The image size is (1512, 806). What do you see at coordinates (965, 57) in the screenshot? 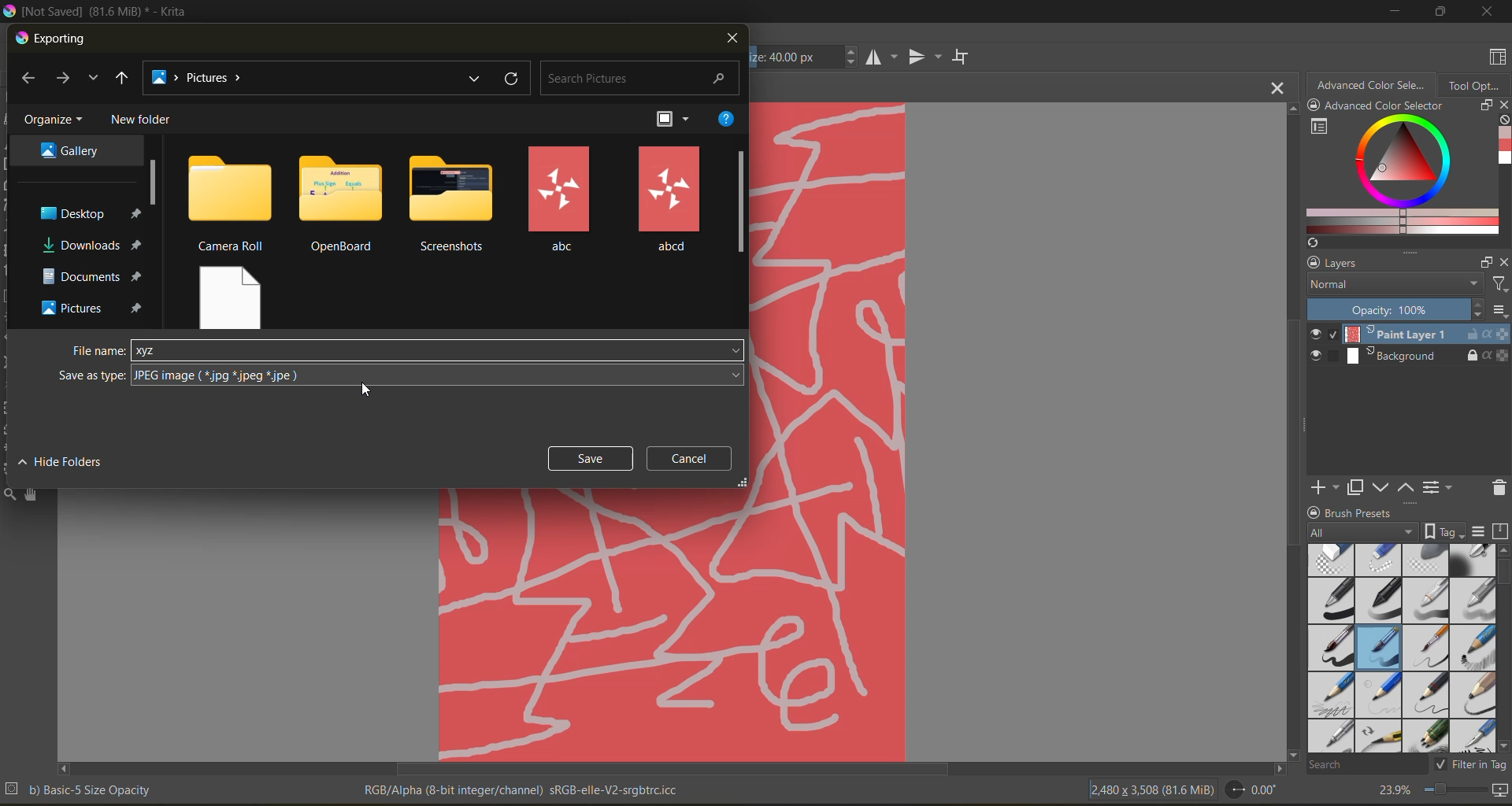
I see `wrap around mode` at bounding box center [965, 57].